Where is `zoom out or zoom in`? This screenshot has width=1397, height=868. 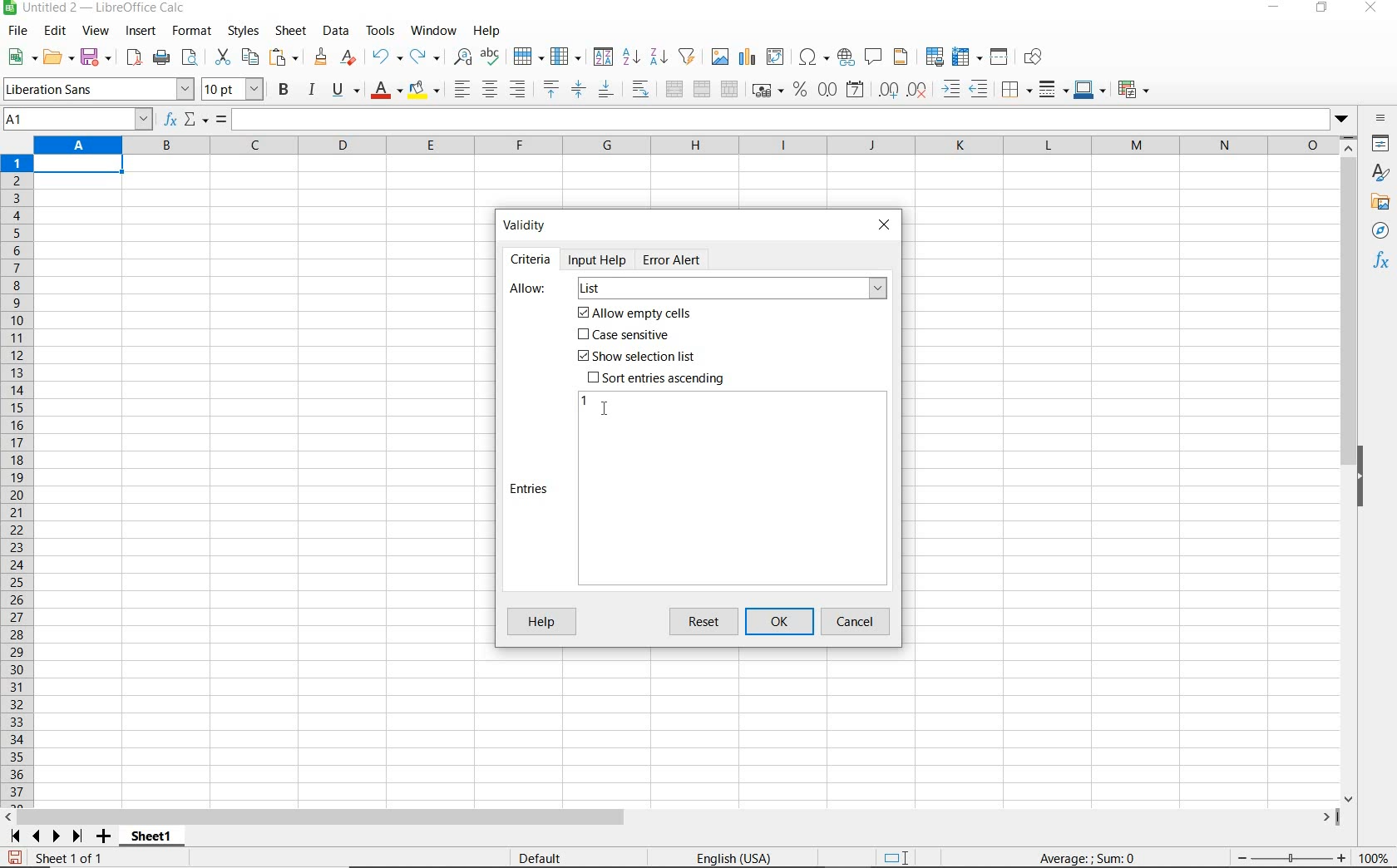
zoom out or zoom in is located at coordinates (1285, 857).